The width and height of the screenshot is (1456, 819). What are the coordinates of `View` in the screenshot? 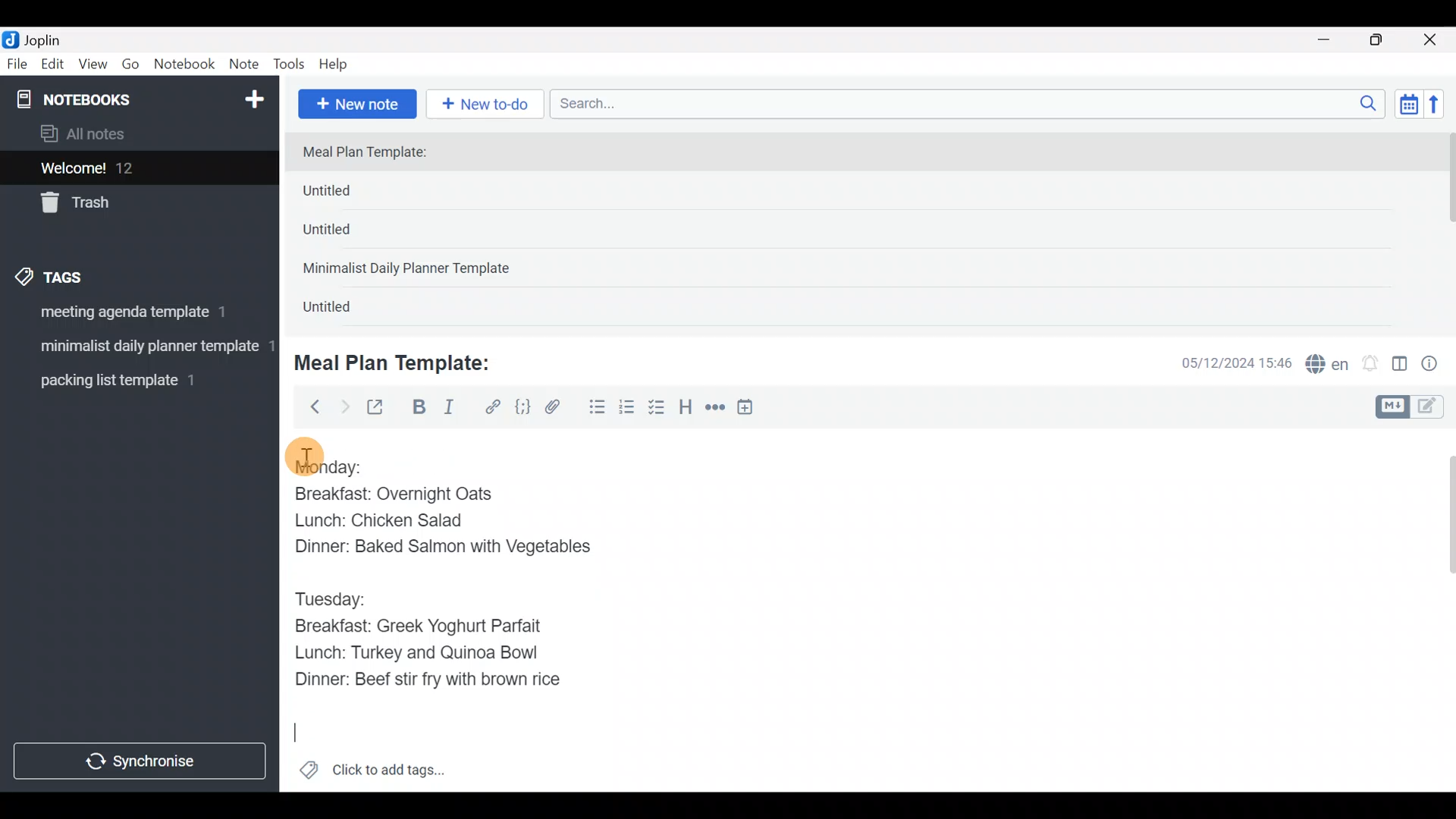 It's located at (93, 67).